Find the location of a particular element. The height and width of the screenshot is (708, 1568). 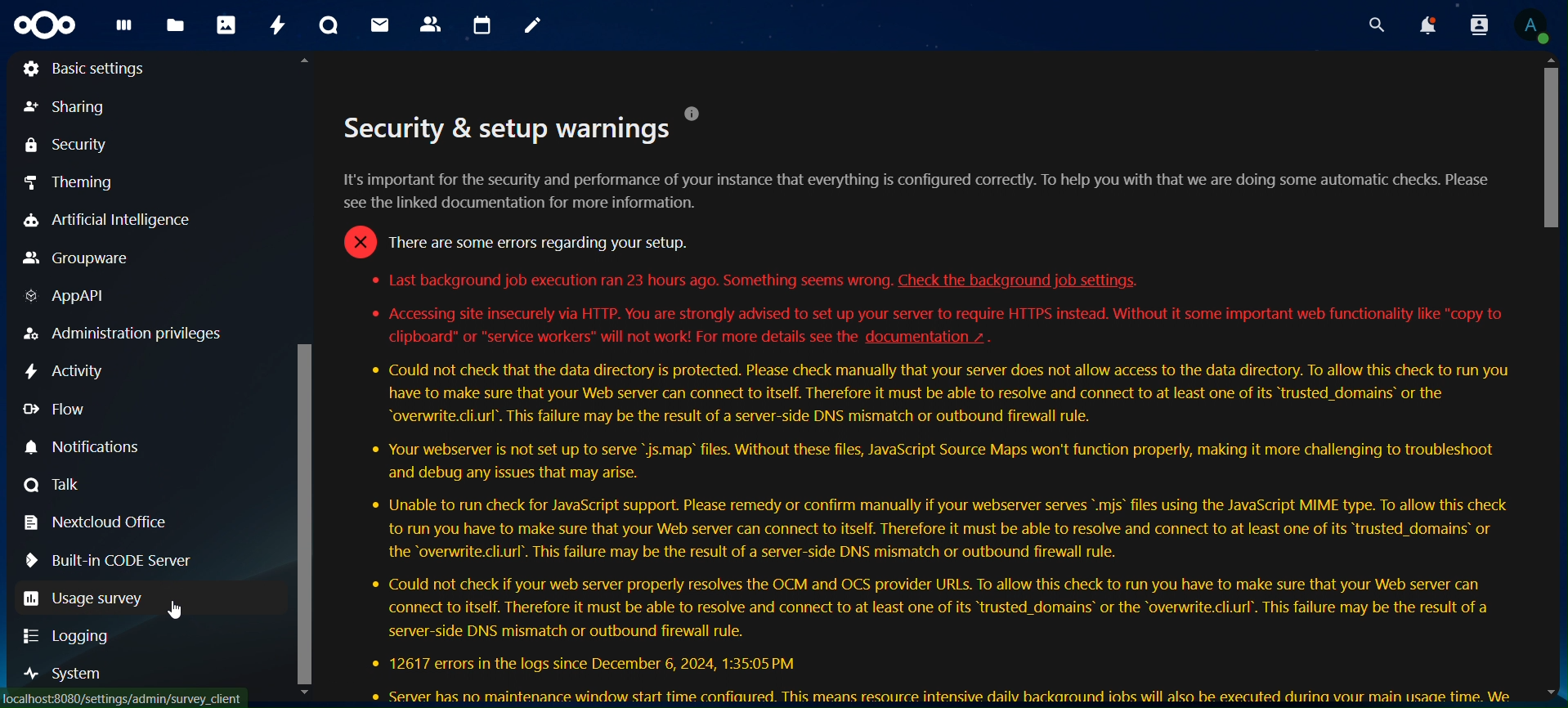

groupware is located at coordinates (81, 261).